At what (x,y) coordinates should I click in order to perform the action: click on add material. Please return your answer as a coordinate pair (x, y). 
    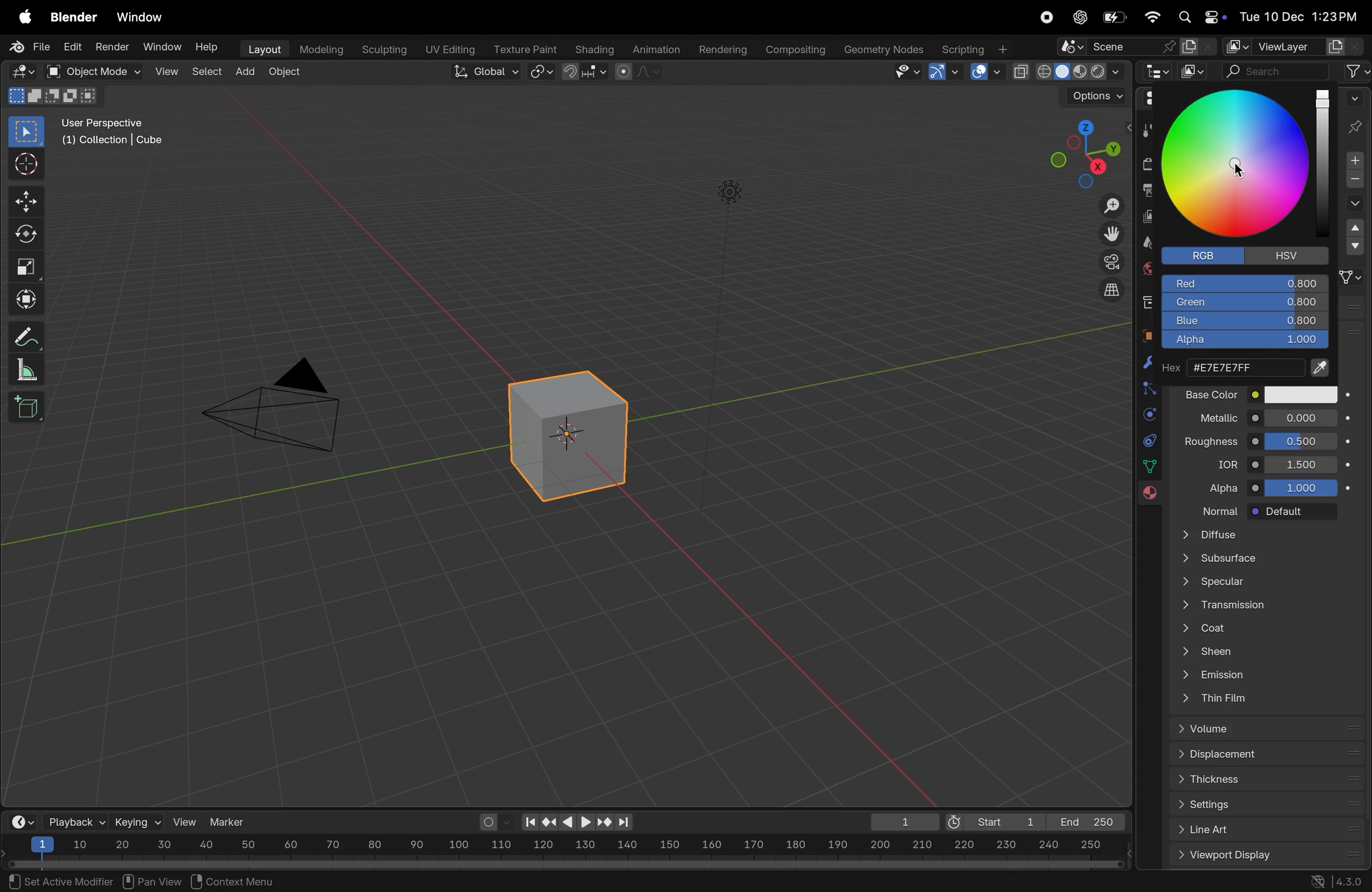
    Looking at the image, I should click on (1352, 161).